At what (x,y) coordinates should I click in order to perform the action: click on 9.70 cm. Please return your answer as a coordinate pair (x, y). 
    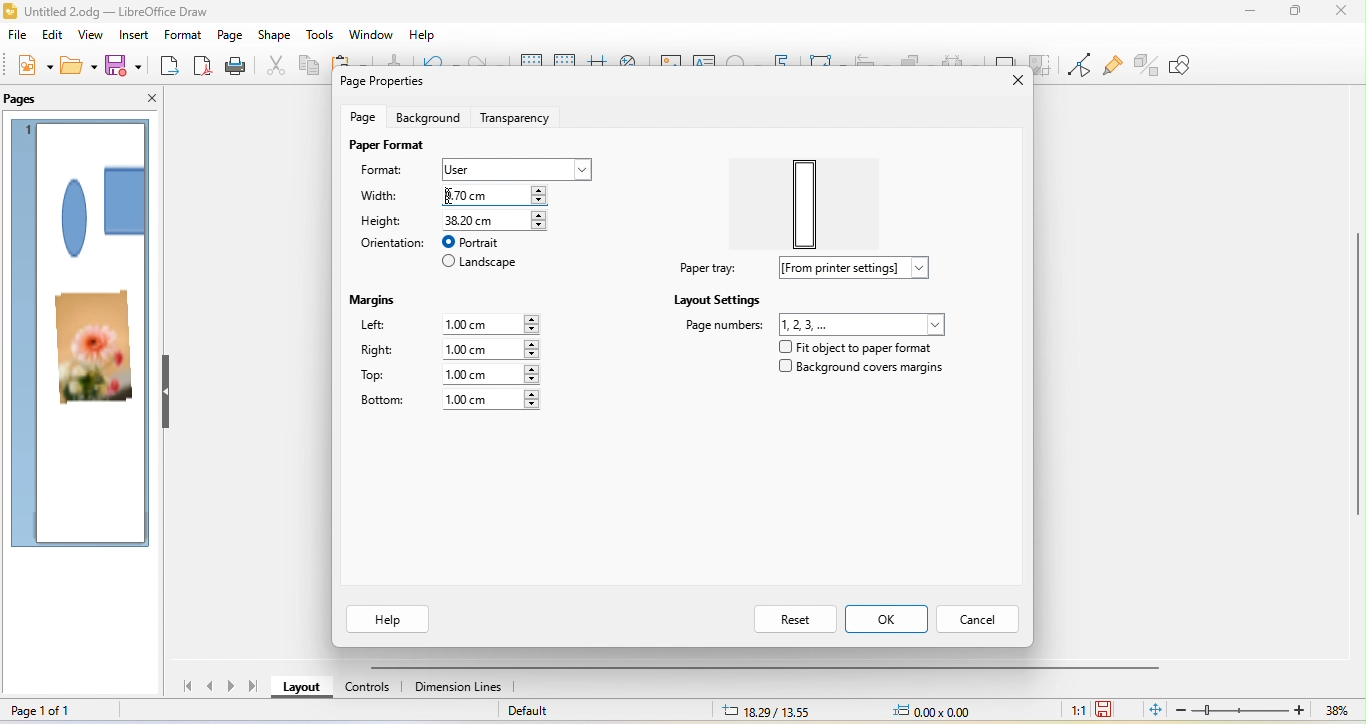
    Looking at the image, I should click on (494, 193).